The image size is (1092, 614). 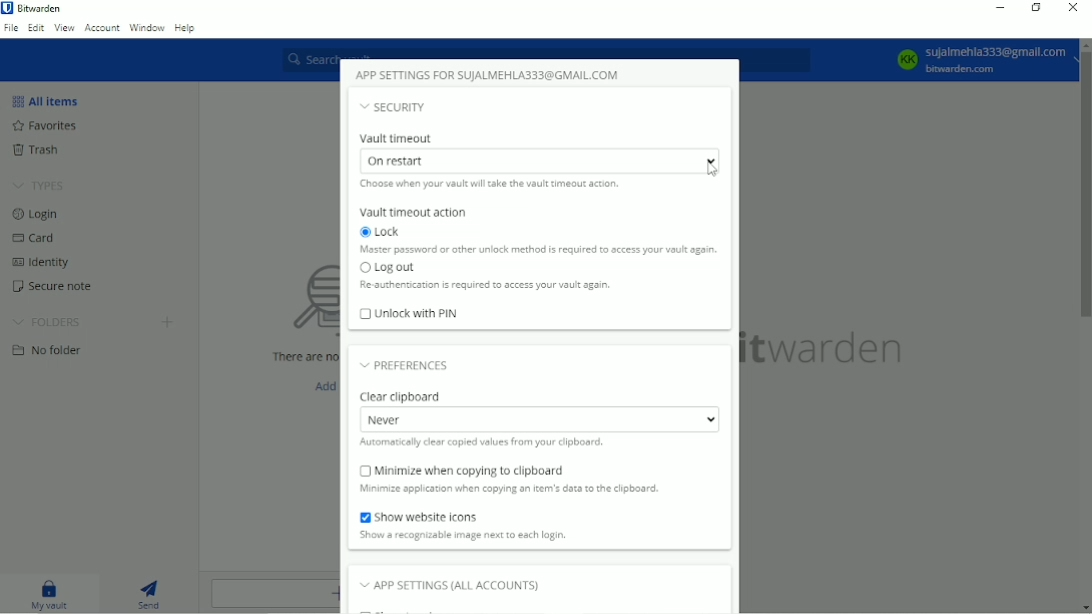 I want to click on Security, so click(x=395, y=107).